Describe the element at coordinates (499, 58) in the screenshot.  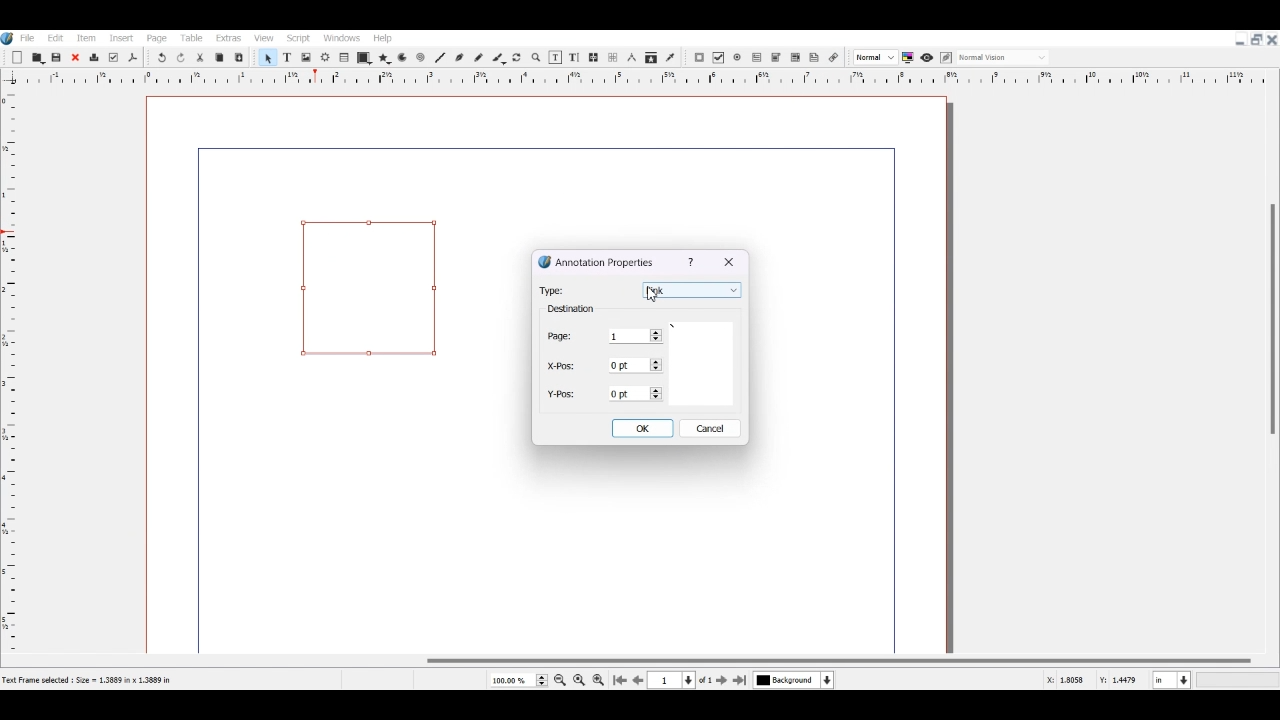
I see `Calligraphic line` at that location.